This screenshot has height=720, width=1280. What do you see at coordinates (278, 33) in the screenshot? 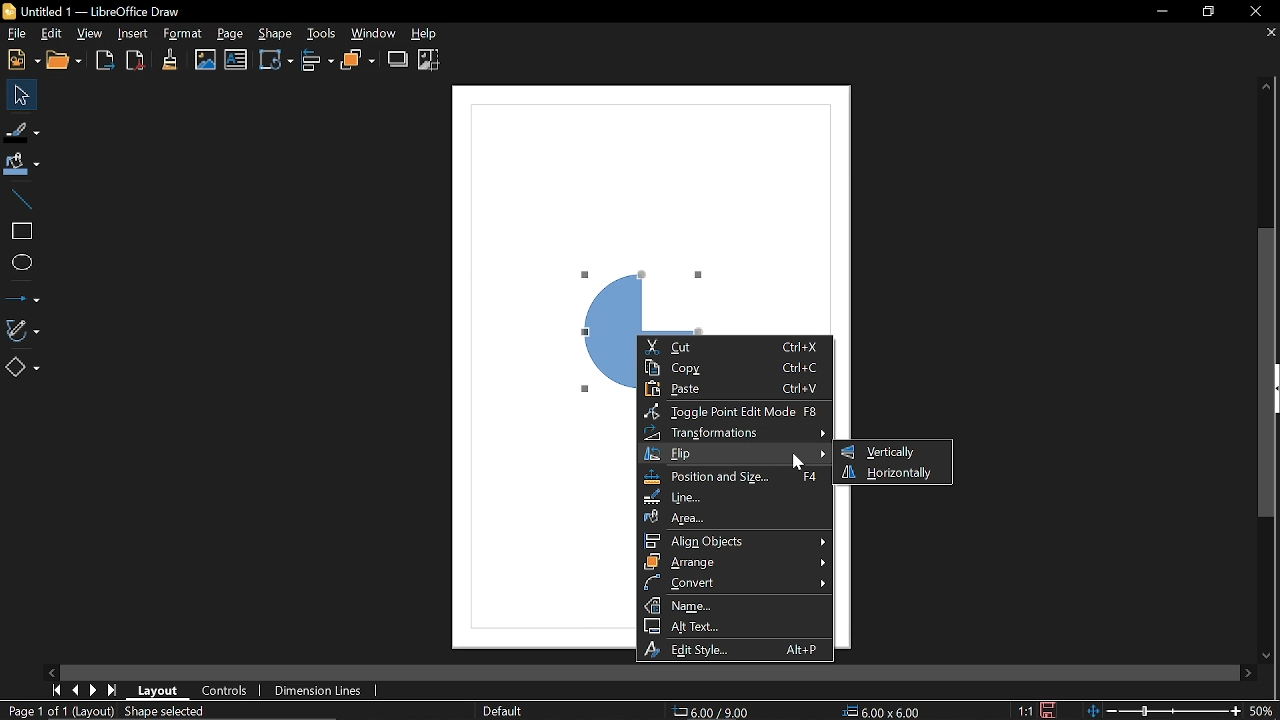
I see `Shape` at bounding box center [278, 33].